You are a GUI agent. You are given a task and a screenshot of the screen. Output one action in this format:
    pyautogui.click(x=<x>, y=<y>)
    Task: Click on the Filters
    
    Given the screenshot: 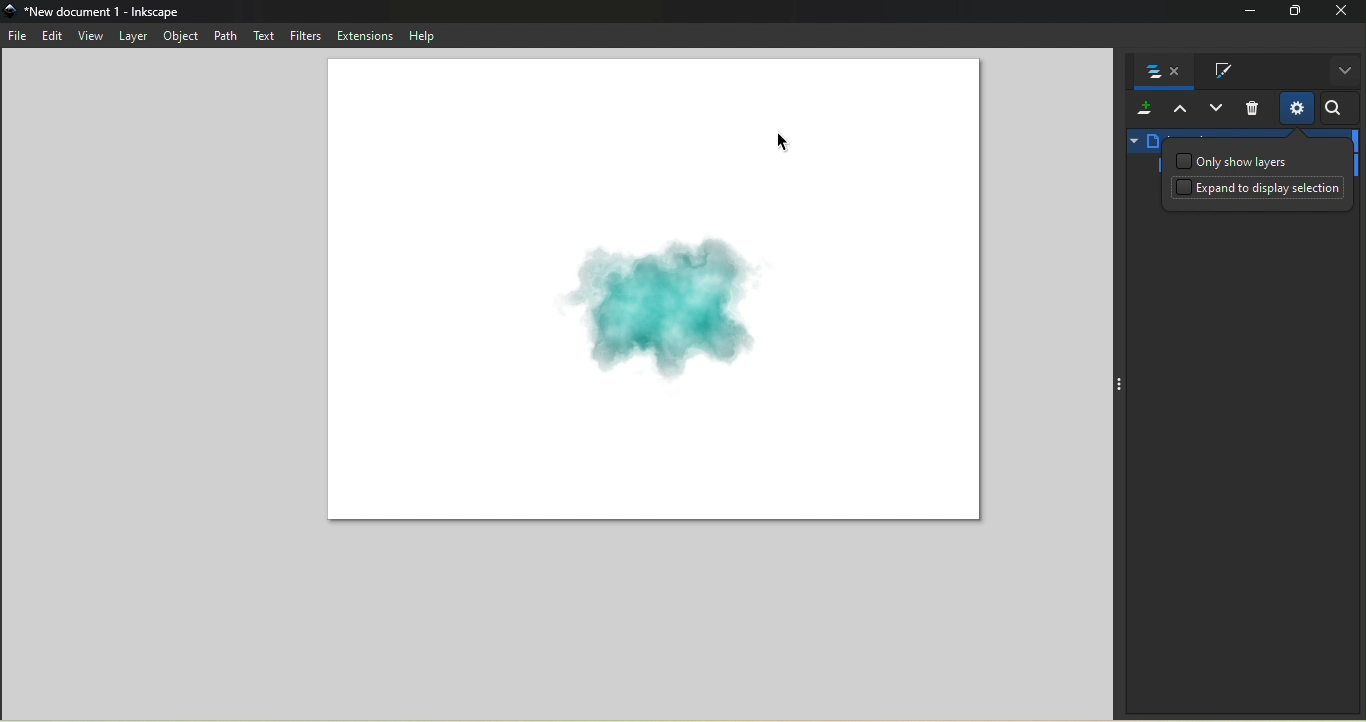 What is the action you would take?
    pyautogui.click(x=305, y=36)
    